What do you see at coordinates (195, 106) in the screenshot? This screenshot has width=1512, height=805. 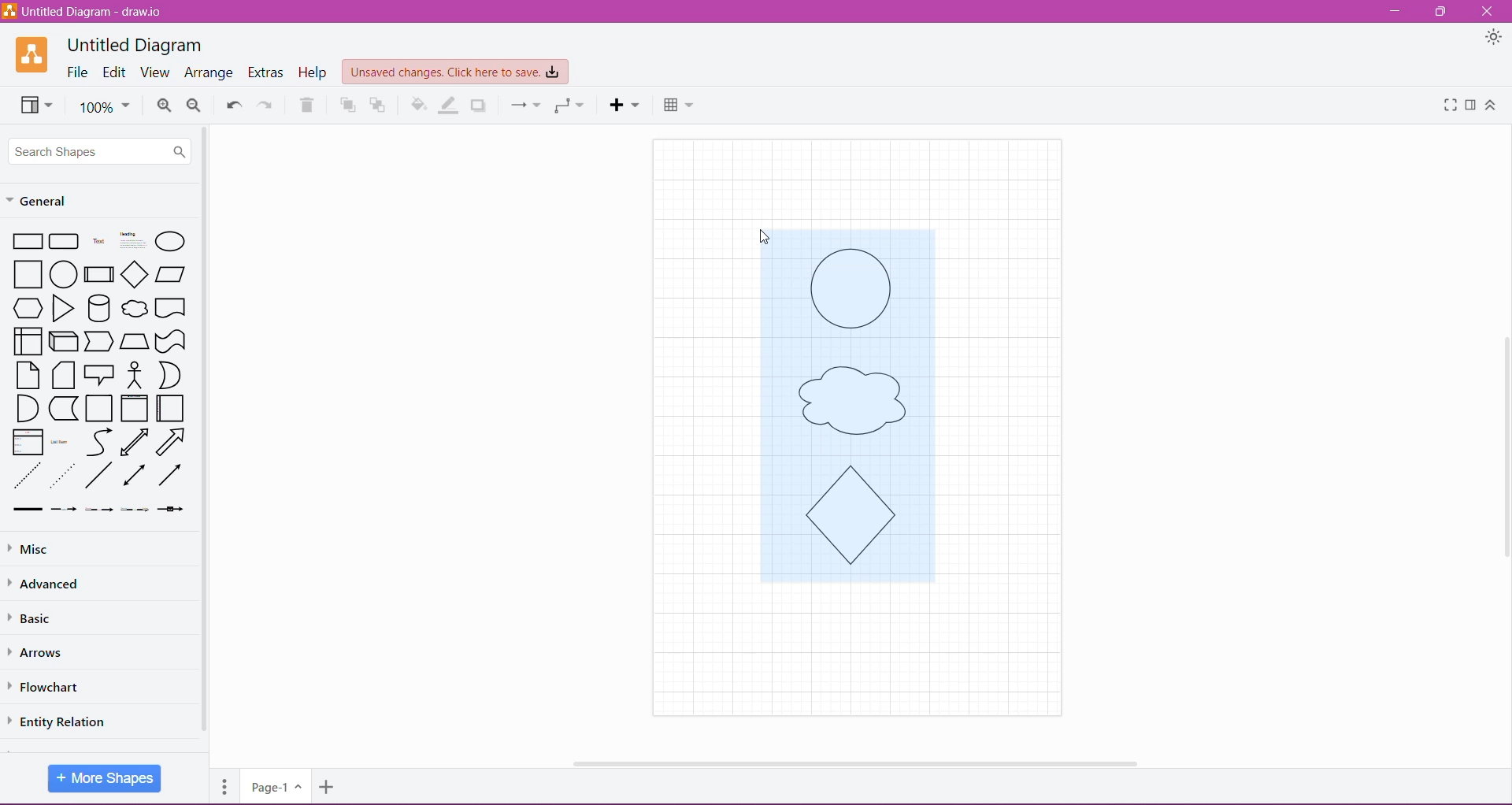 I see `Zoom Out` at bounding box center [195, 106].